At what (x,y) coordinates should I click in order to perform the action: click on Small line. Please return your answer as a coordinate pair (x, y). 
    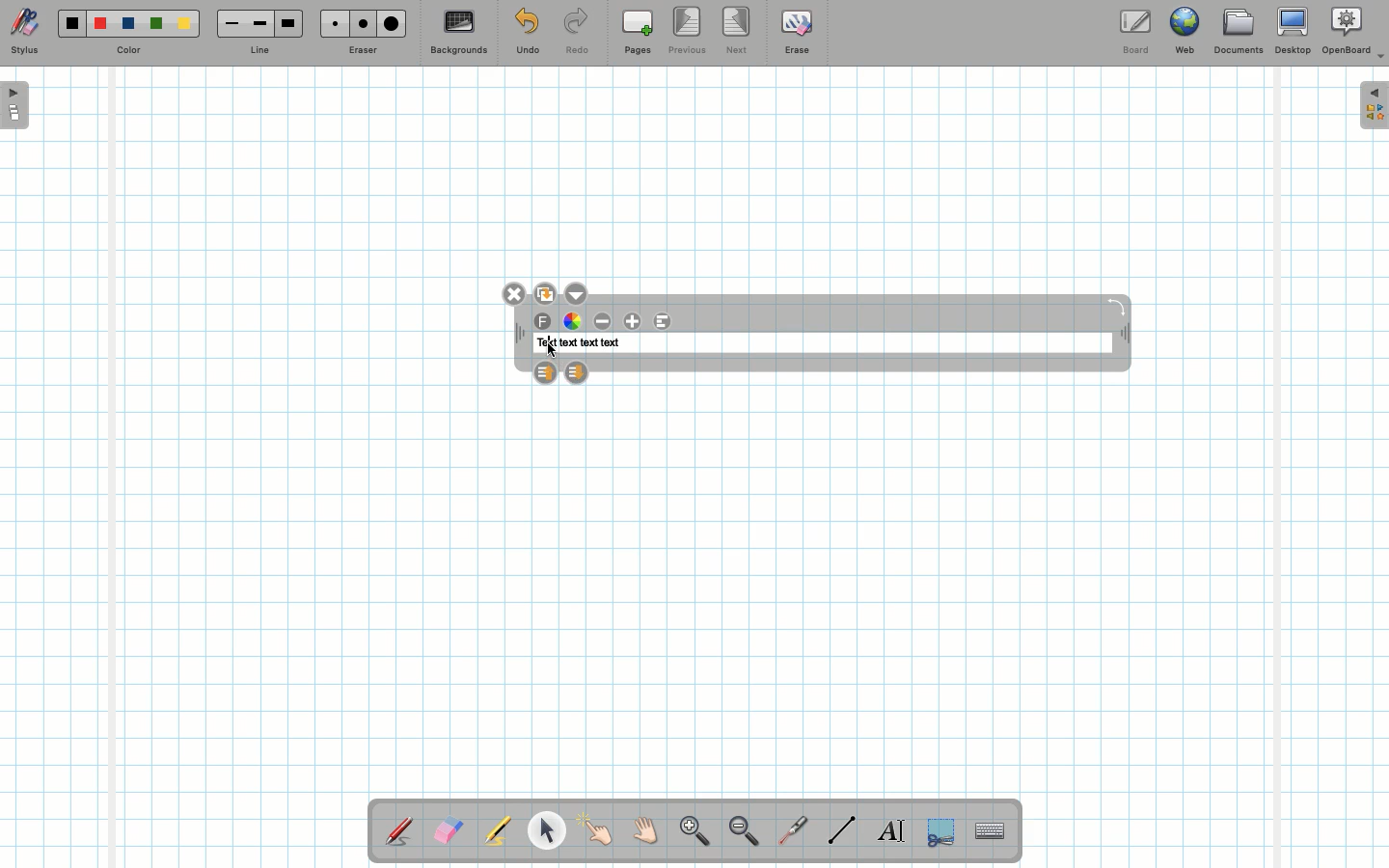
    Looking at the image, I should click on (229, 24).